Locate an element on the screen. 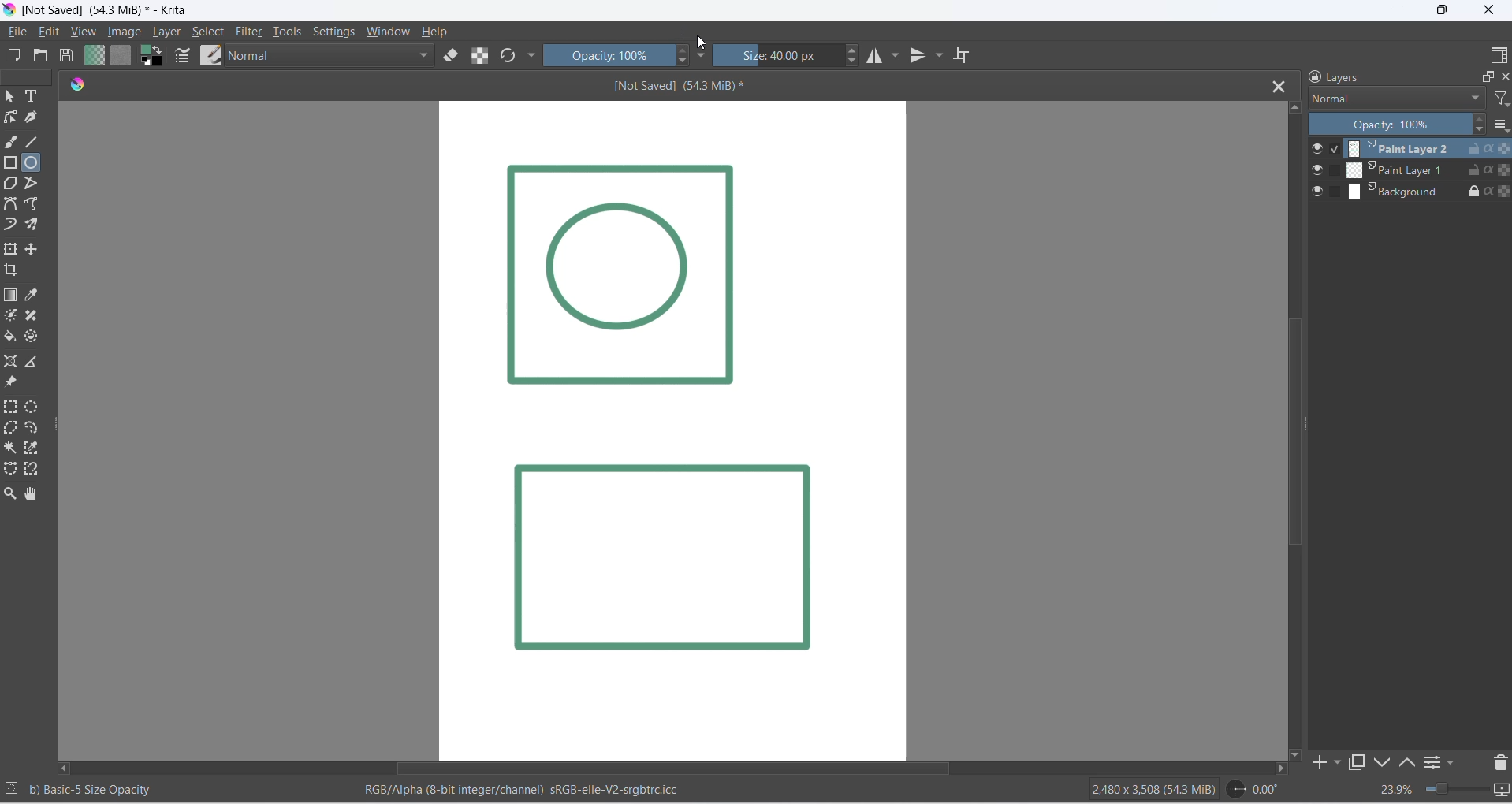  minimize is located at coordinates (1394, 12).